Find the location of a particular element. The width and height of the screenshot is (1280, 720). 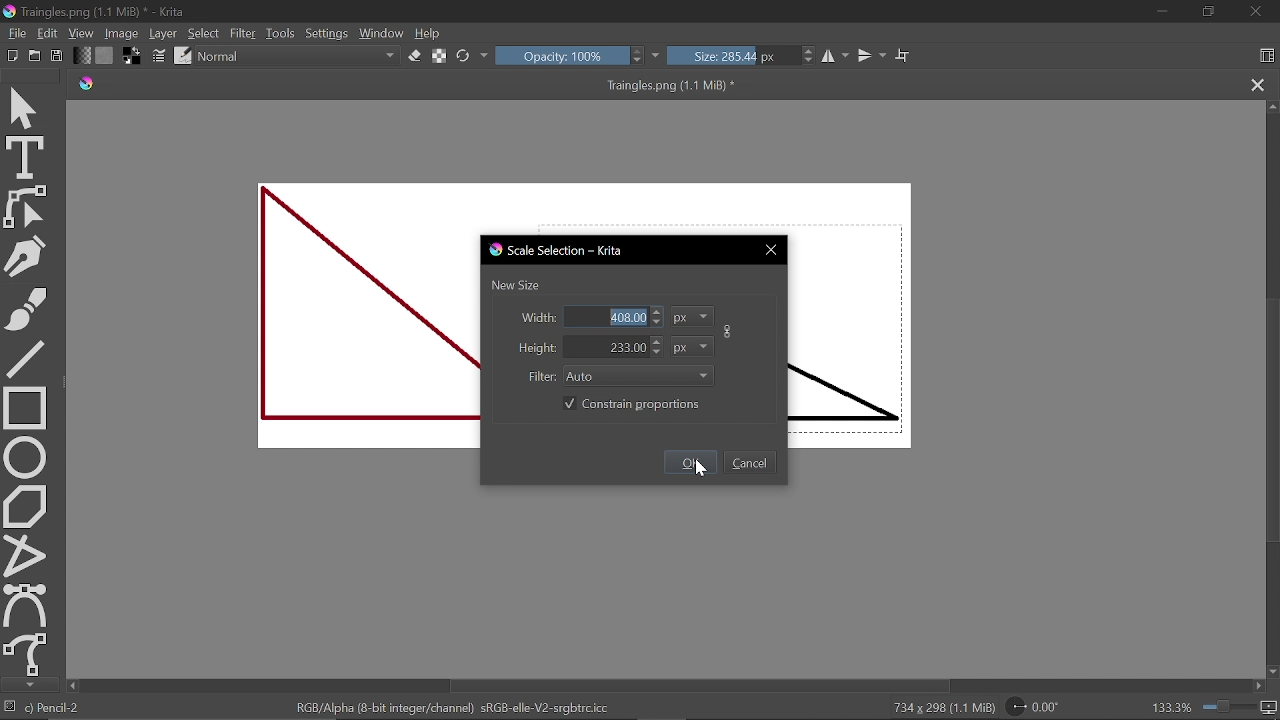

Edit shapes tool is located at coordinates (26, 206).